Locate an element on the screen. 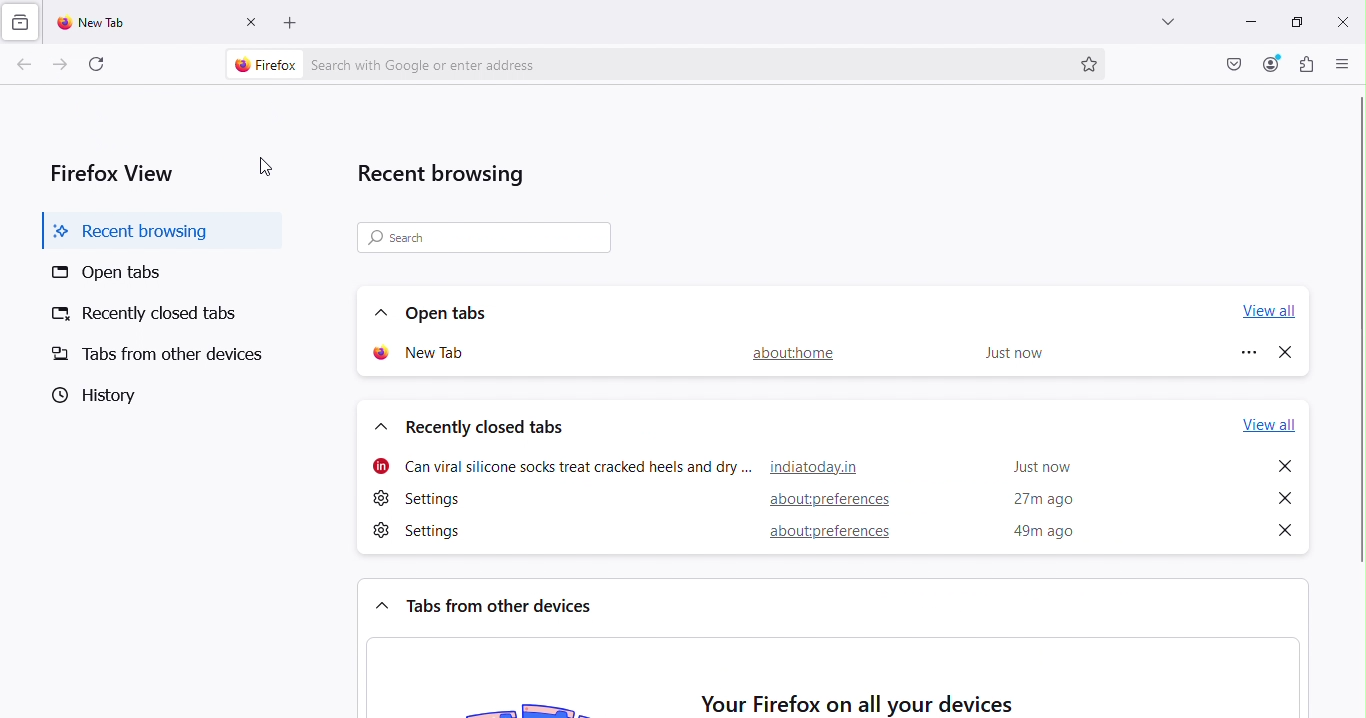 Image resolution: width=1366 pixels, height=718 pixels. About home is located at coordinates (784, 352).